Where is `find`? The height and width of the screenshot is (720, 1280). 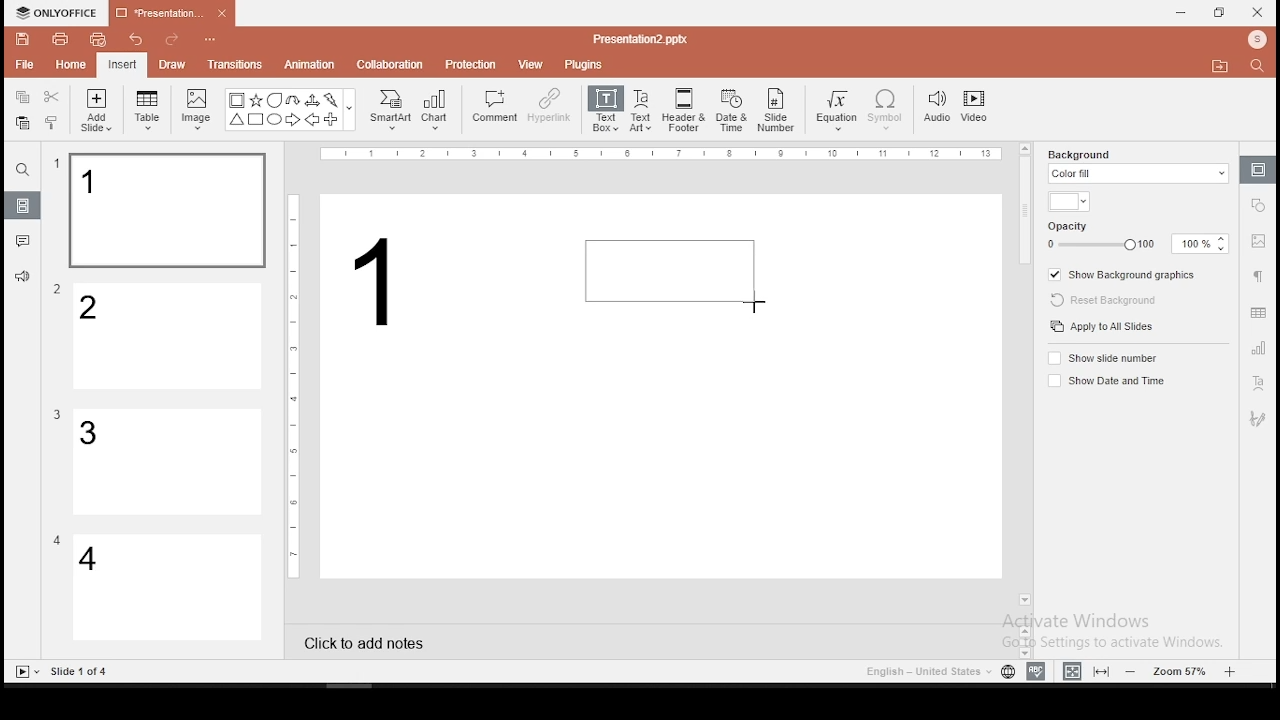 find is located at coordinates (22, 170).